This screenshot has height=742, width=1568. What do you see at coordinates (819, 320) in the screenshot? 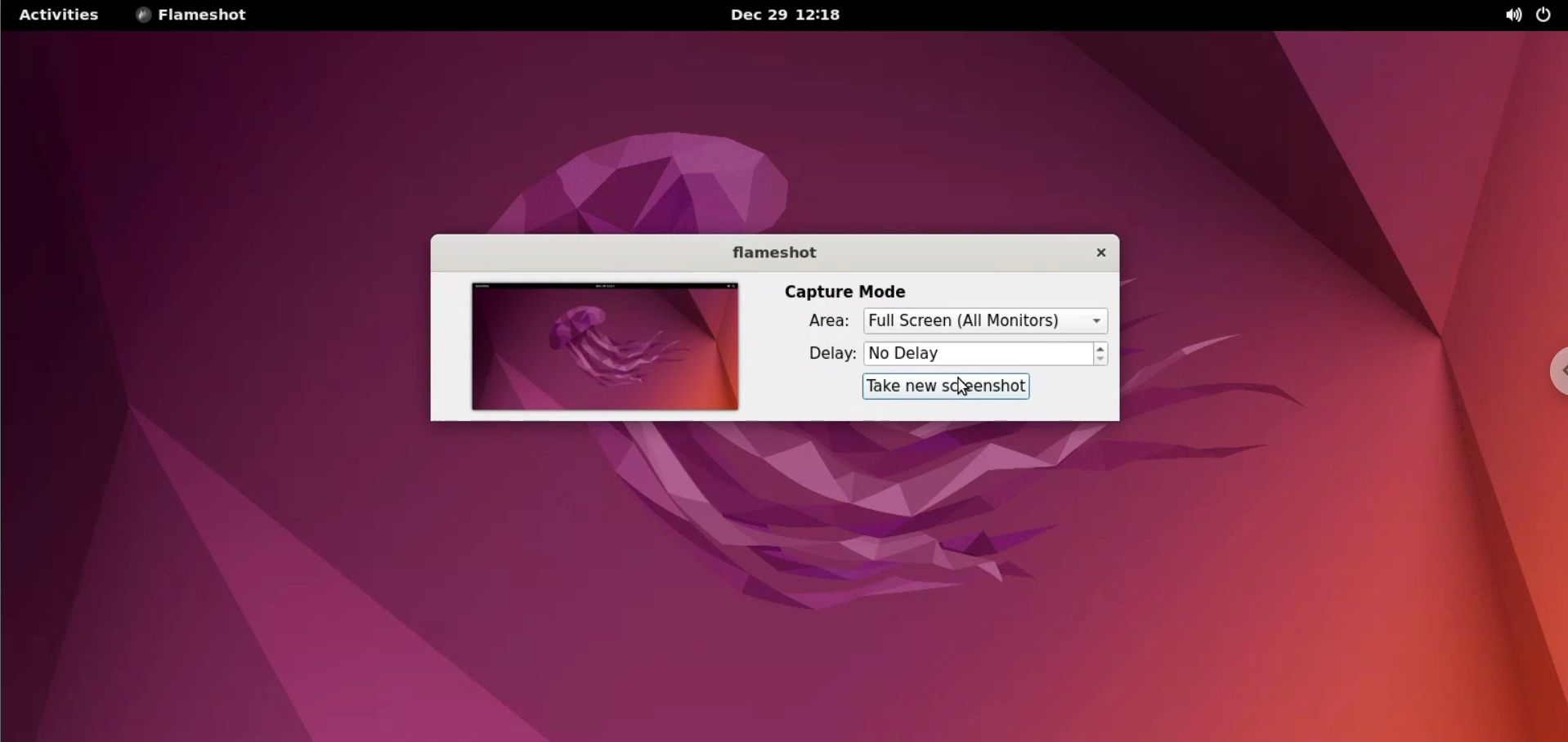
I see `Area label` at bounding box center [819, 320].